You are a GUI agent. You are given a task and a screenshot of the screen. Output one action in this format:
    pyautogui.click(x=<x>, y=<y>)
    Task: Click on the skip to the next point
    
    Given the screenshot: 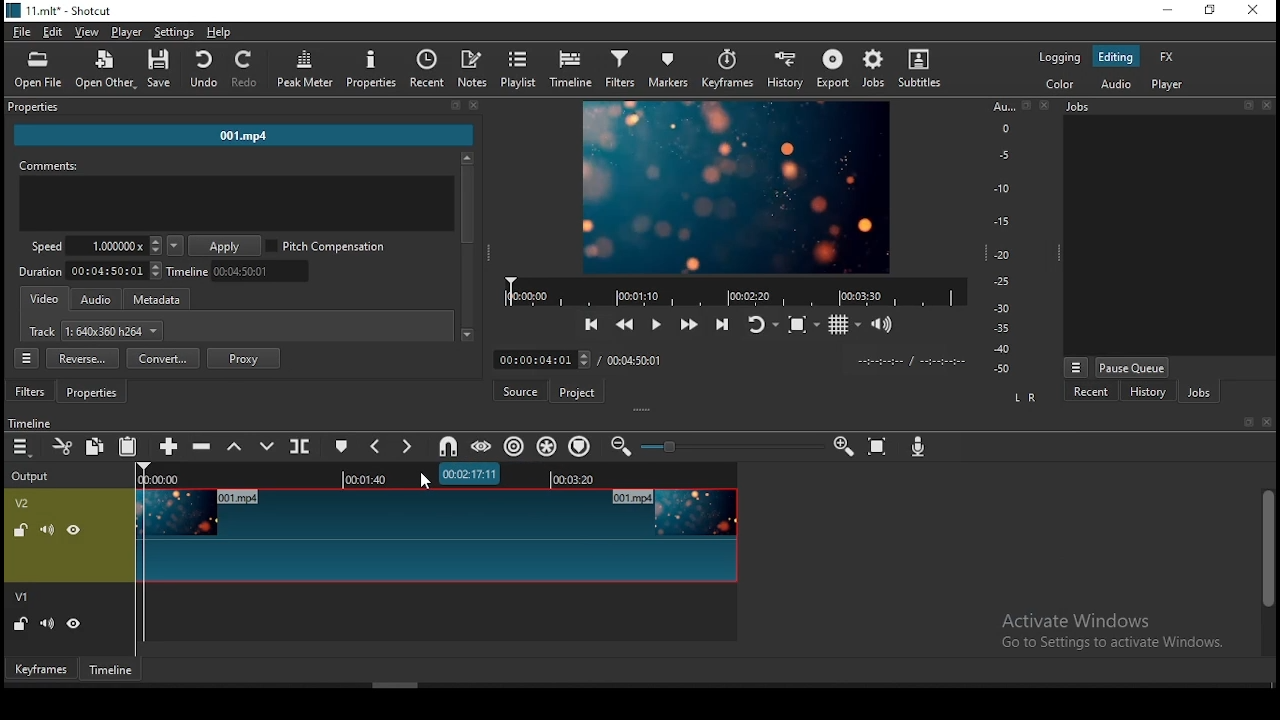 What is the action you would take?
    pyautogui.click(x=726, y=323)
    